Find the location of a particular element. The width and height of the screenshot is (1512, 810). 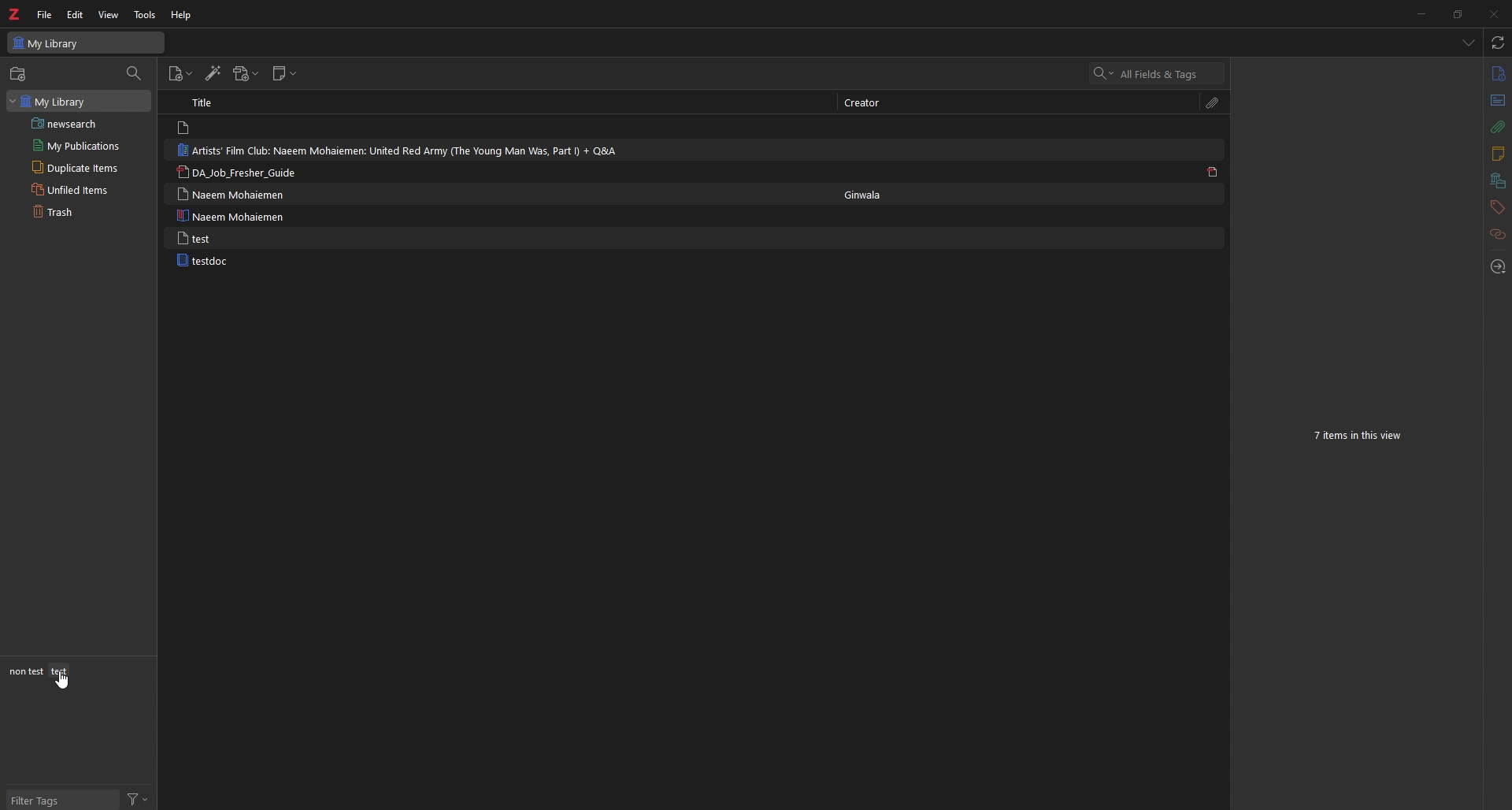

duplicate items is located at coordinates (84, 167).